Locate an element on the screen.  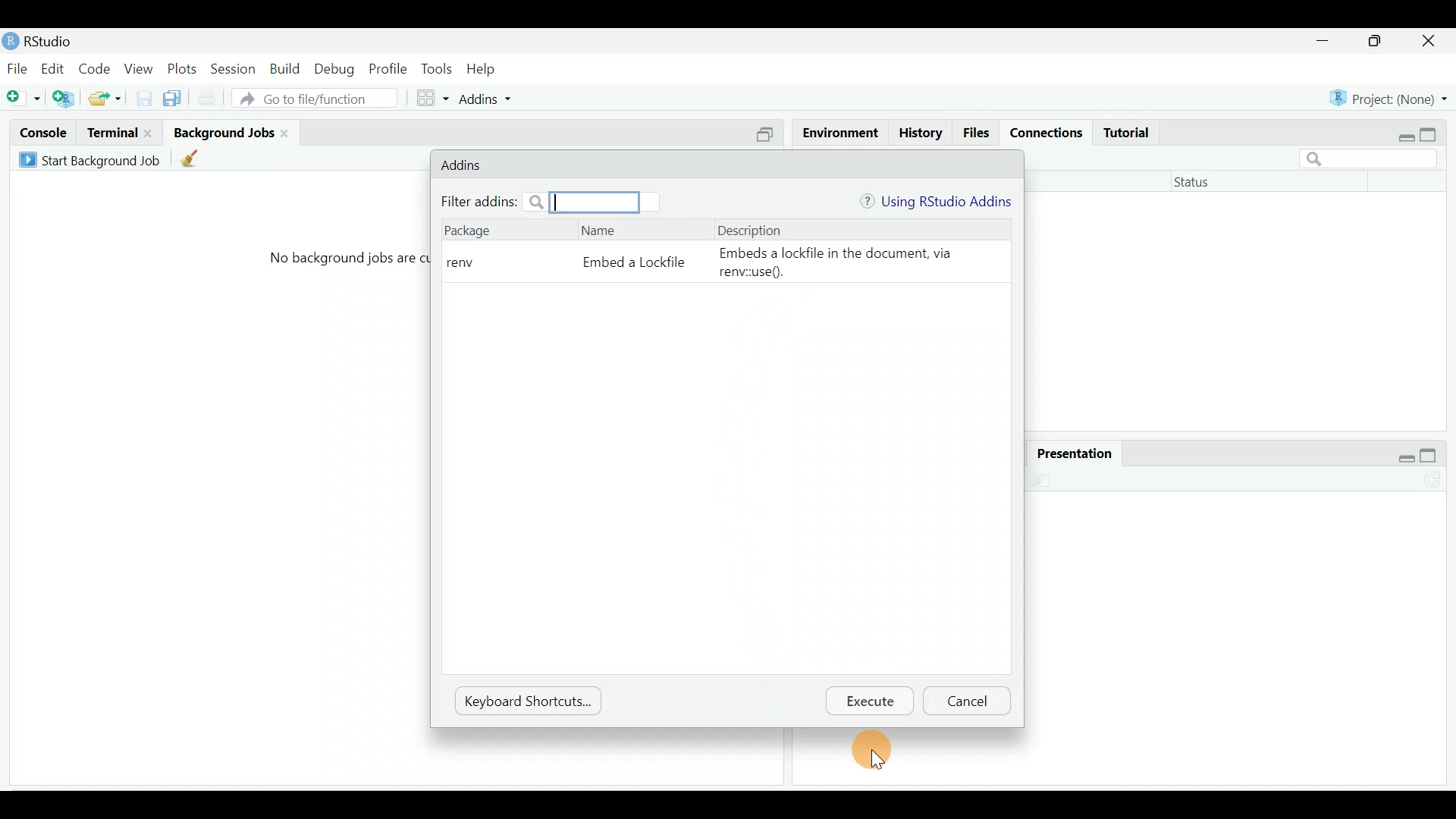
New file is located at coordinates (24, 99).